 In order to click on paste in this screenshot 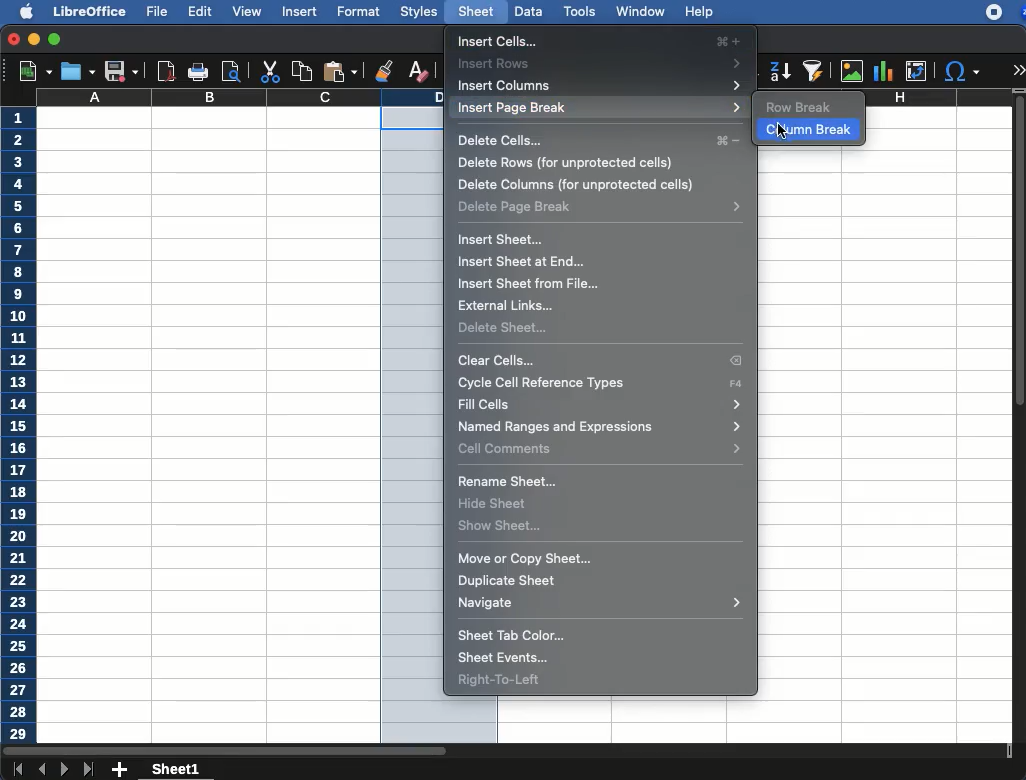, I will do `click(339, 72)`.